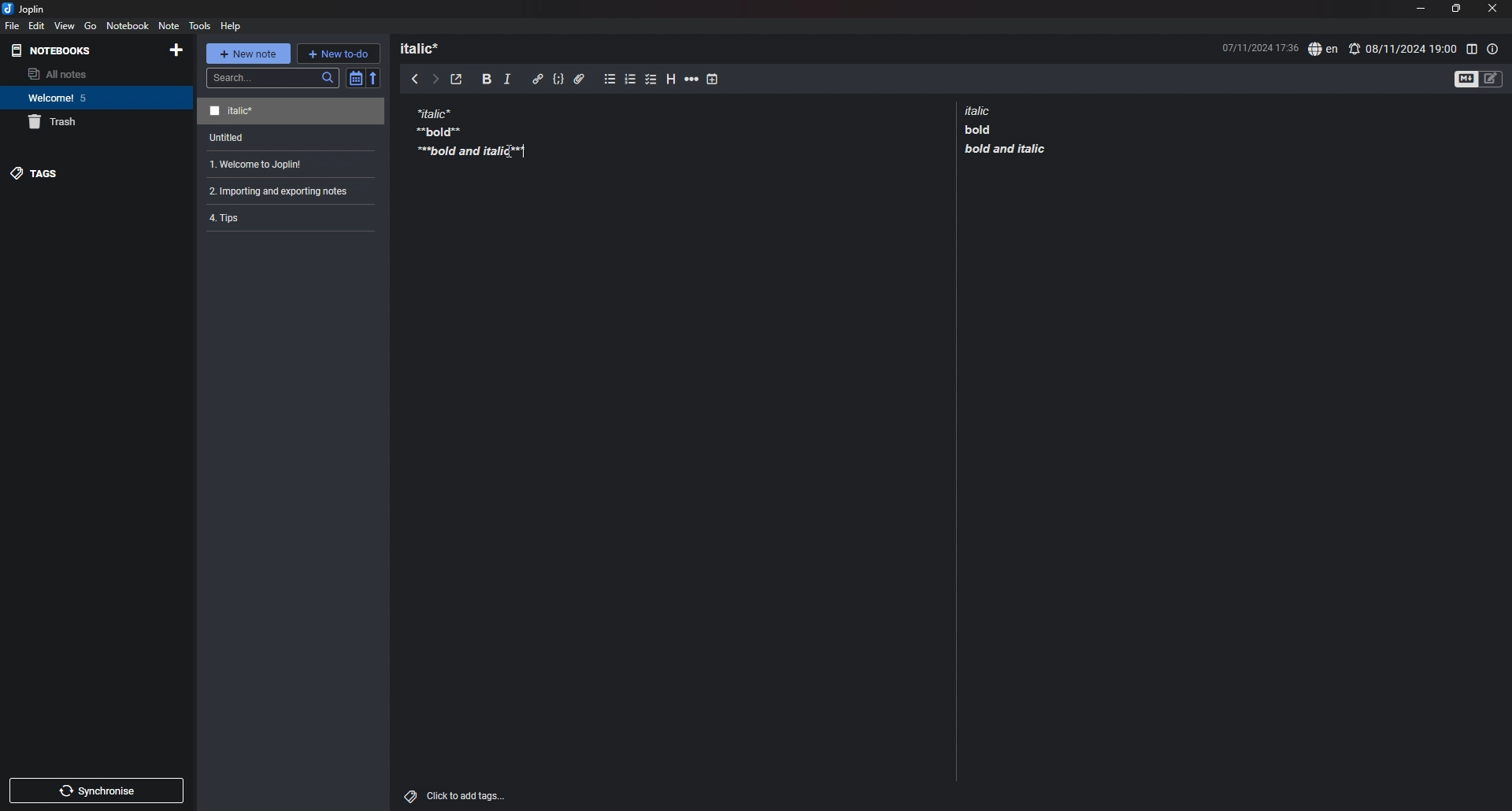 The height and width of the screenshot is (811, 1512). I want to click on toggle external editor, so click(457, 80).